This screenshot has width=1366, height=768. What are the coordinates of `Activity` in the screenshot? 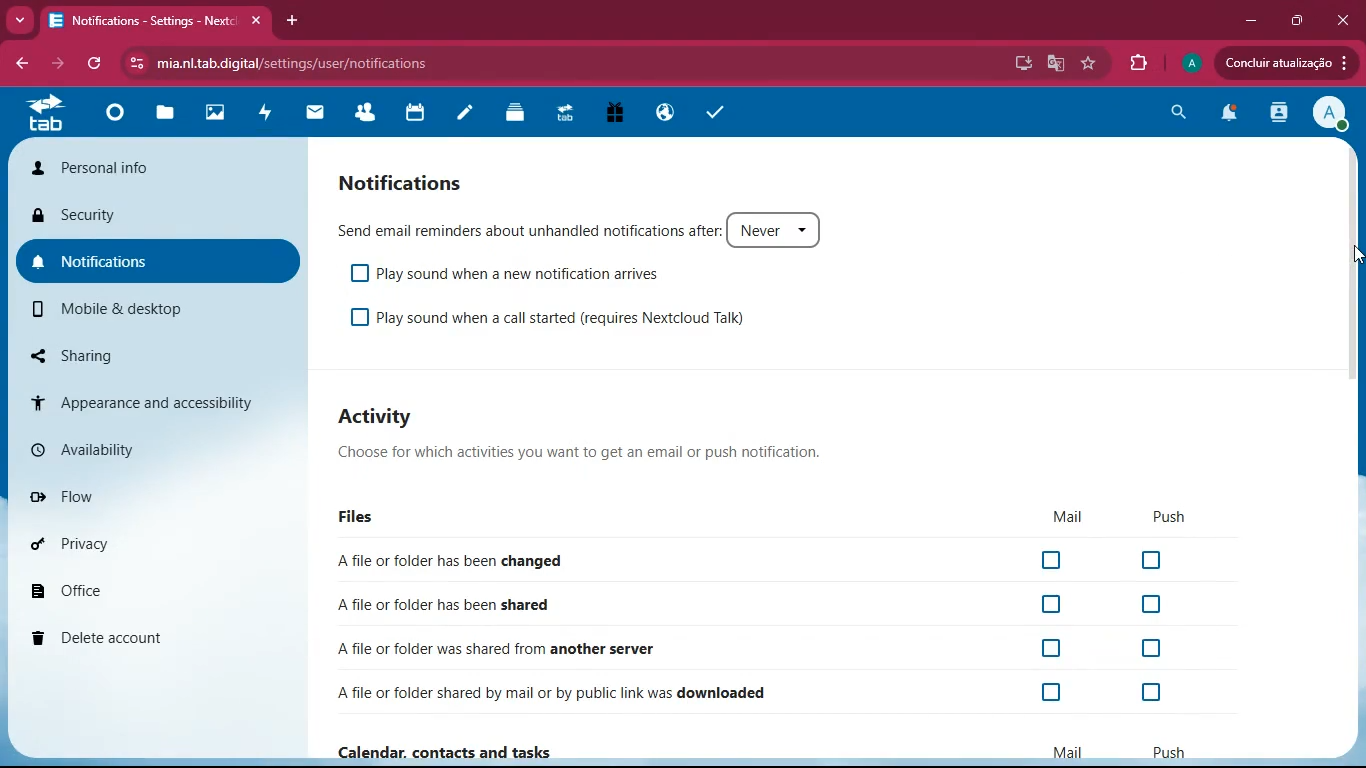 It's located at (585, 439).